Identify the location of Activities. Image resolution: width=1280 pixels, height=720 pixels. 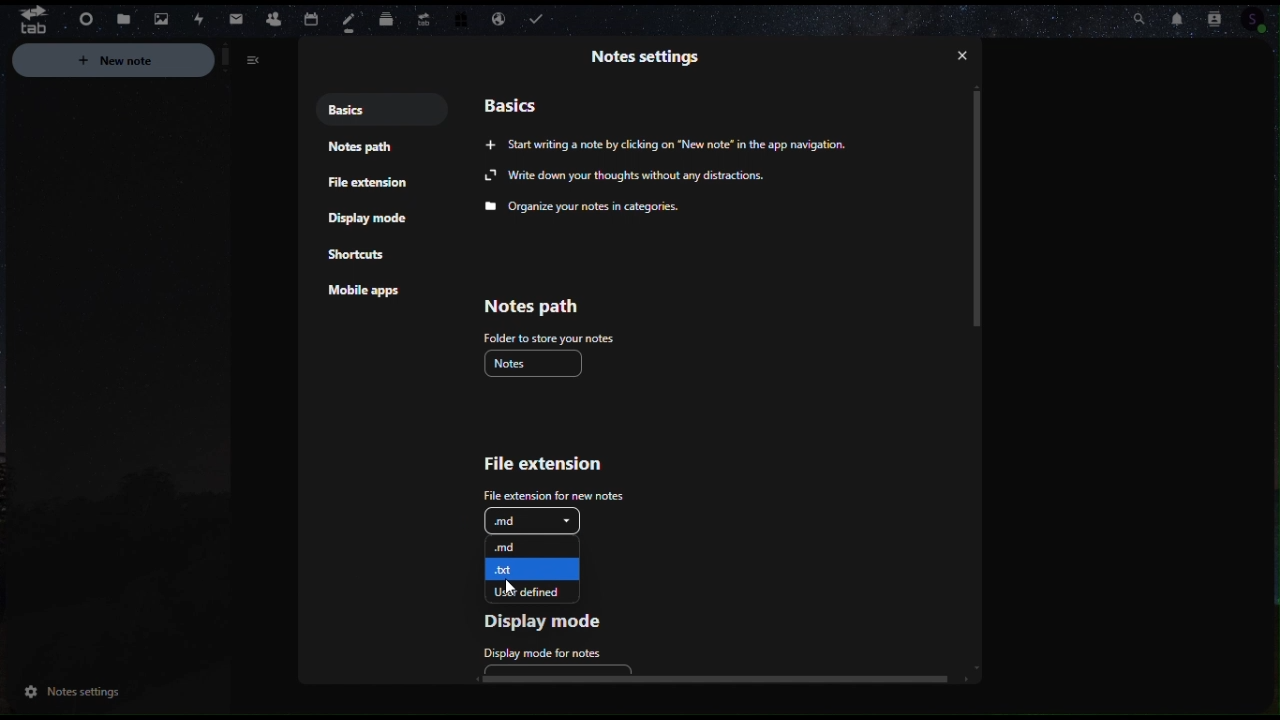
(197, 20).